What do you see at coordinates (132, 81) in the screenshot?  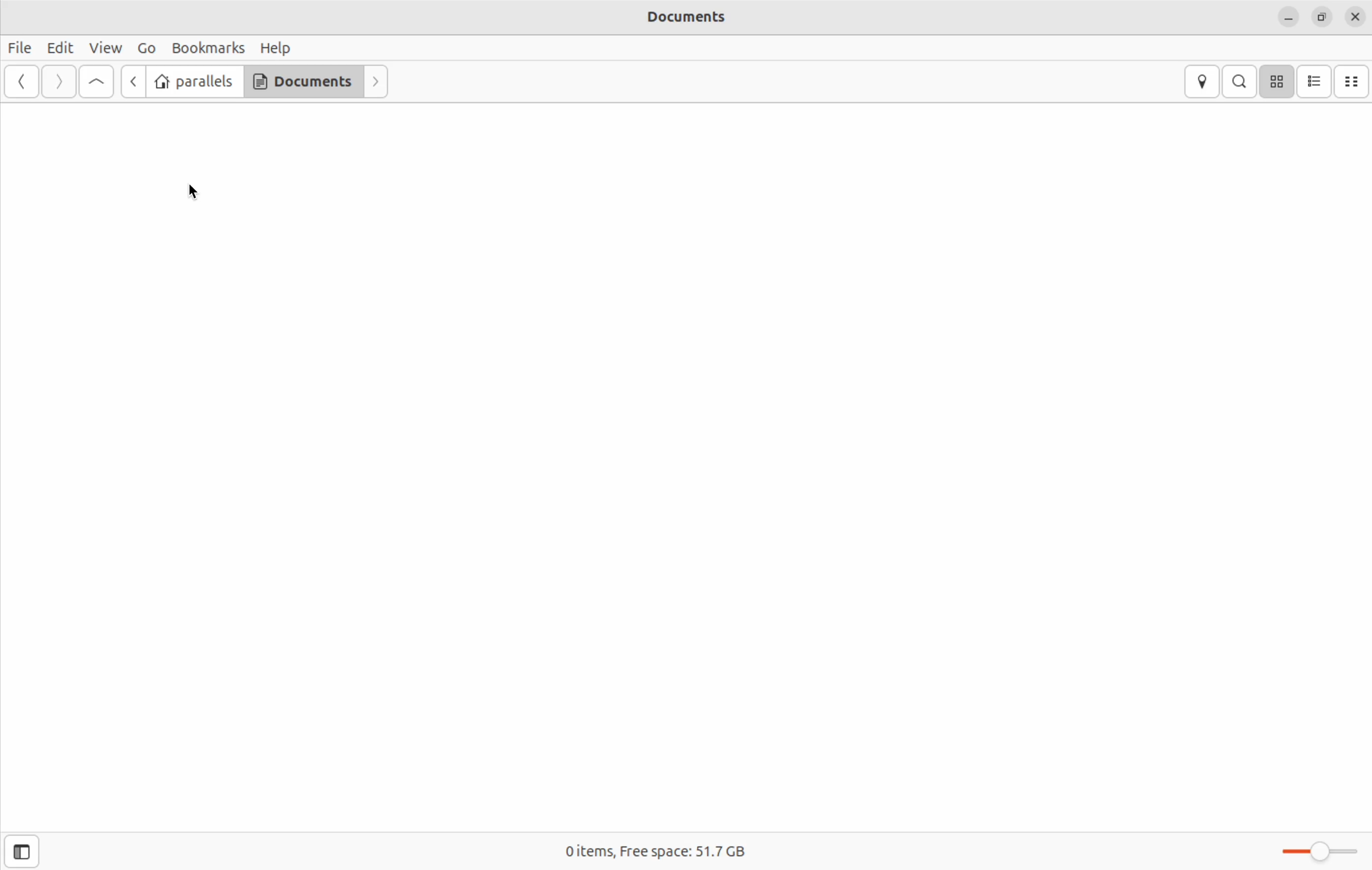 I see `Go back` at bounding box center [132, 81].